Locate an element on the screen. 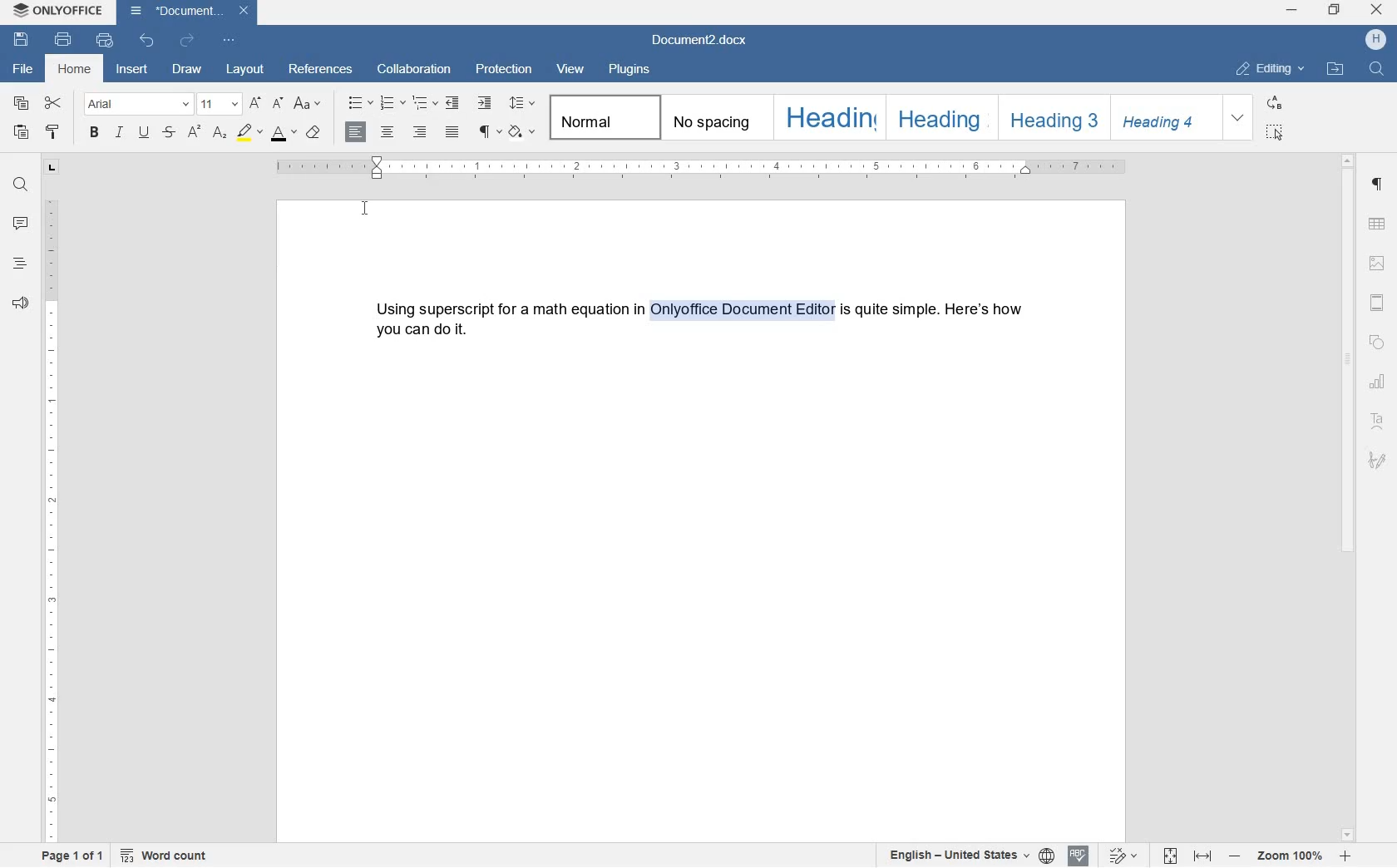 Image resolution: width=1397 pixels, height=868 pixels. minimize is located at coordinates (1291, 10).